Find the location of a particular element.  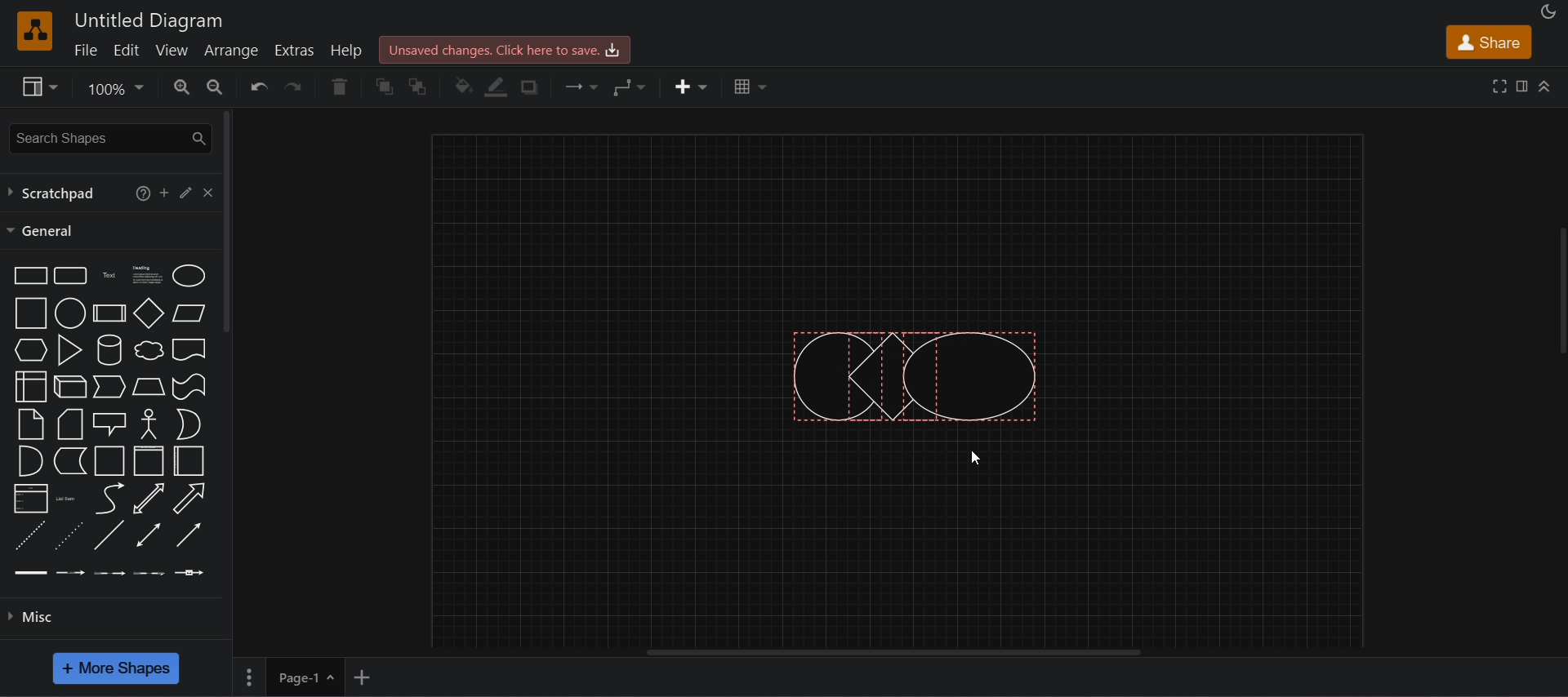

parallelogram is located at coordinates (189, 313).